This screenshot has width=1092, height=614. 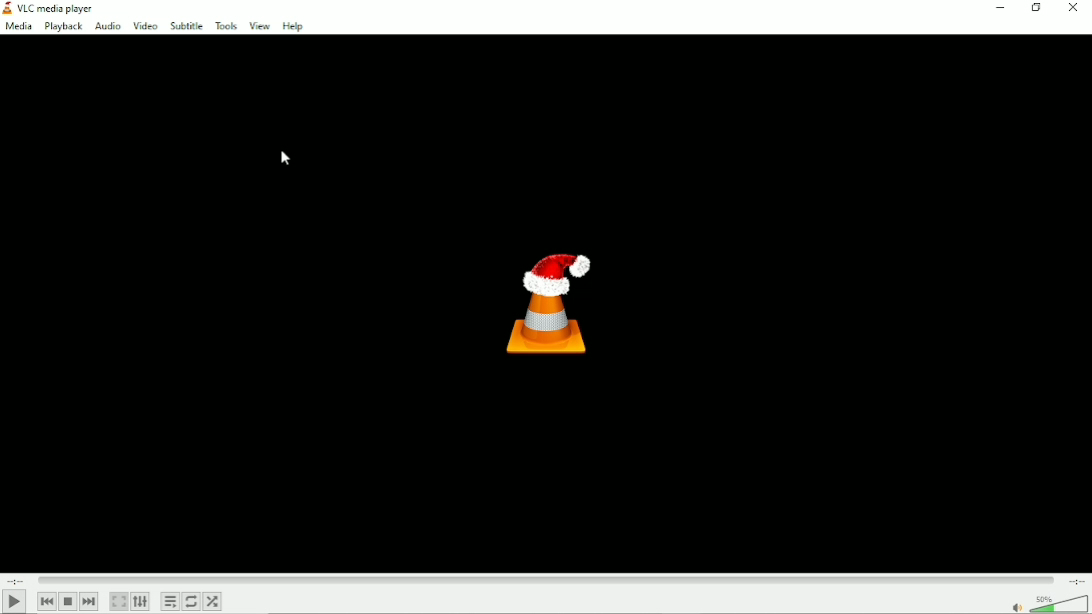 I want to click on Subtitle, so click(x=185, y=25).